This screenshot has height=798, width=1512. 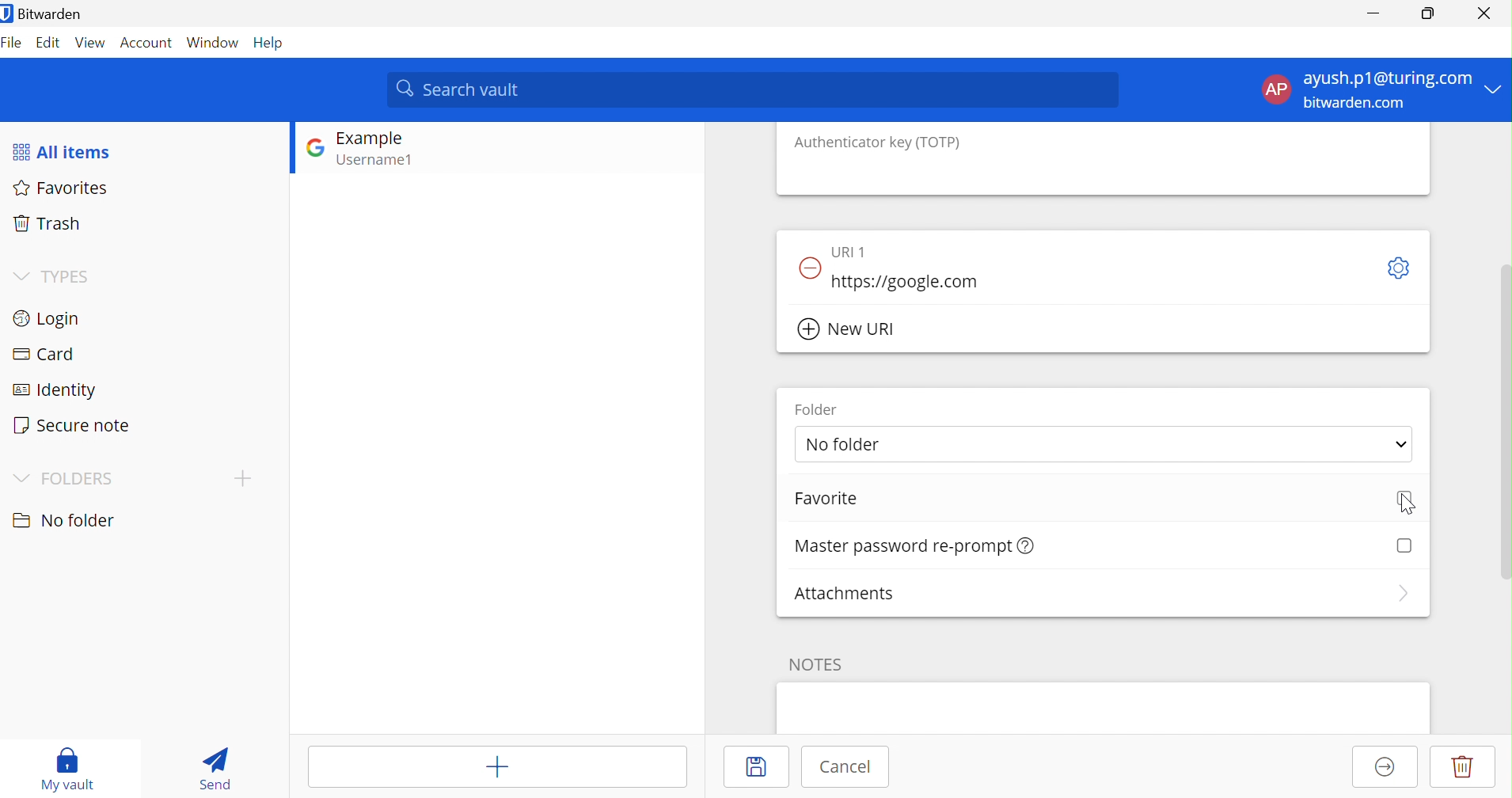 I want to click on Secure note, so click(x=73, y=424).